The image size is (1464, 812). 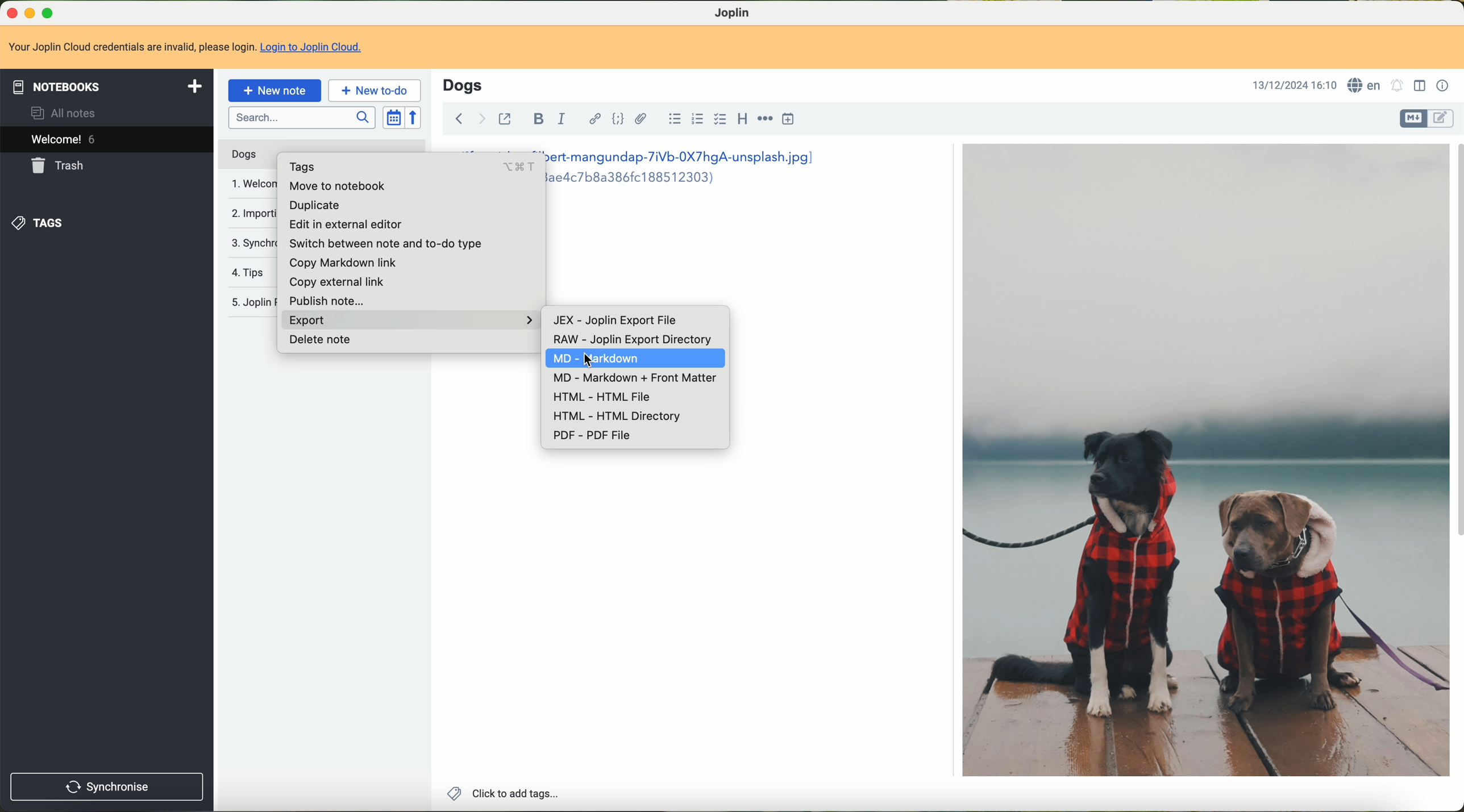 I want to click on MD - Markdown, so click(x=659, y=360).